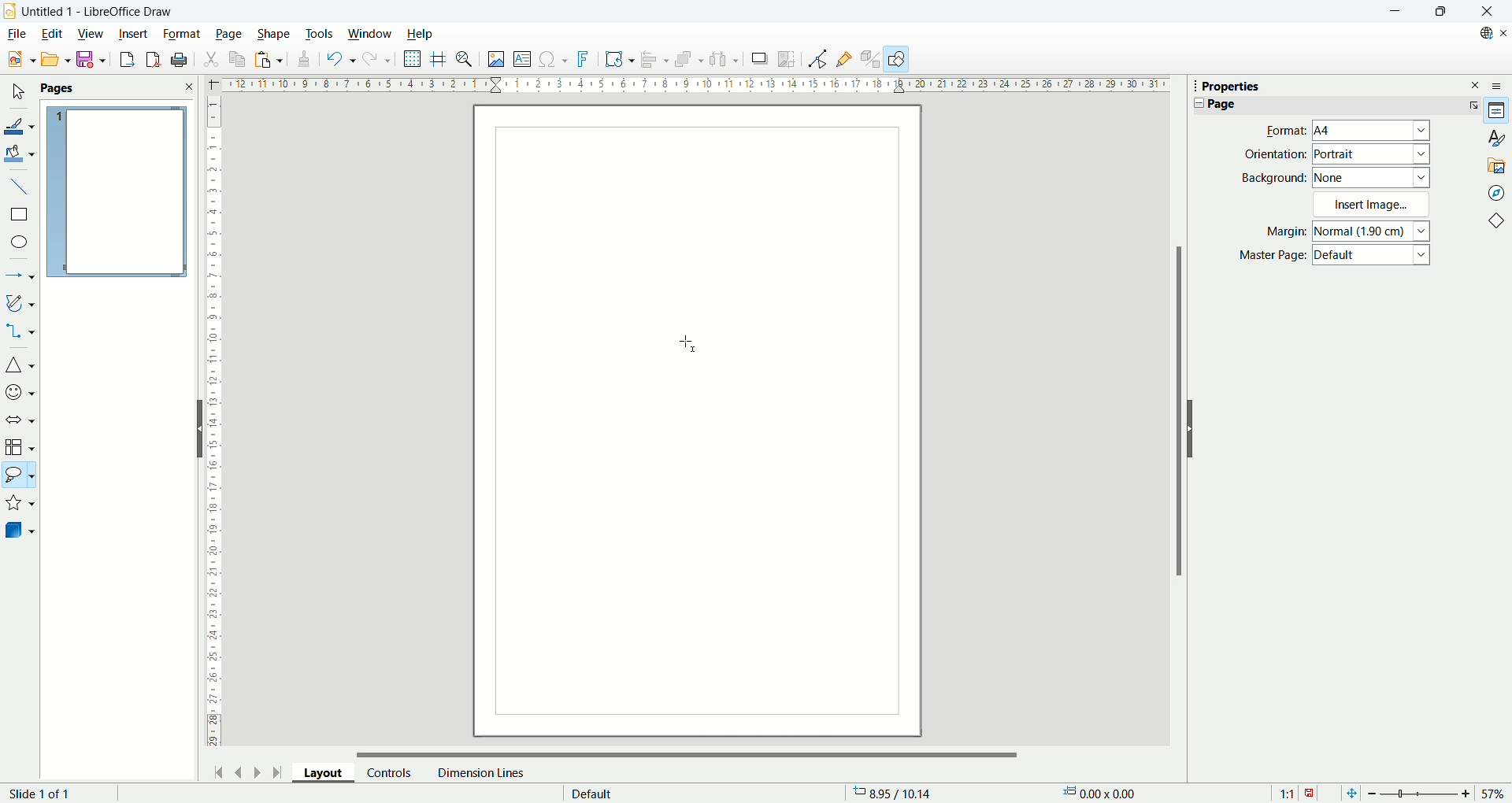 This screenshot has width=1512, height=803. Describe the element at coordinates (182, 33) in the screenshot. I see `format` at that location.